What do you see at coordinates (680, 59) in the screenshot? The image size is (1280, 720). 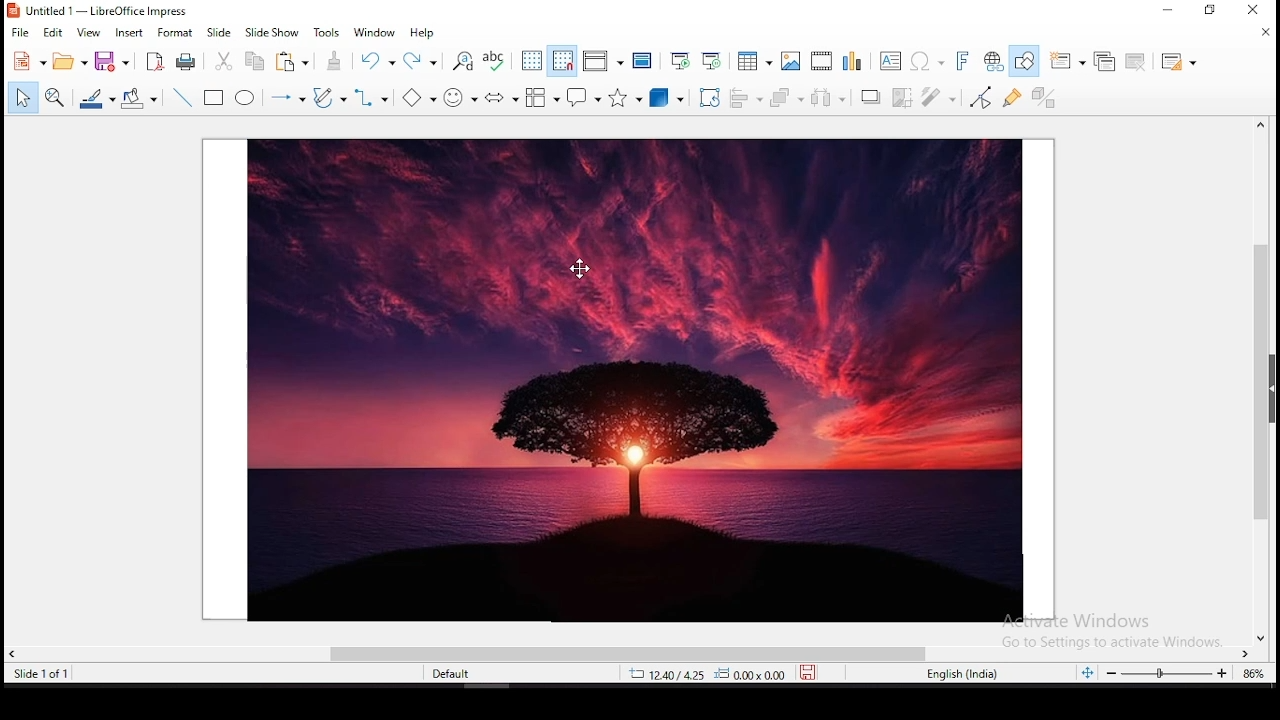 I see `start from first slide` at bounding box center [680, 59].